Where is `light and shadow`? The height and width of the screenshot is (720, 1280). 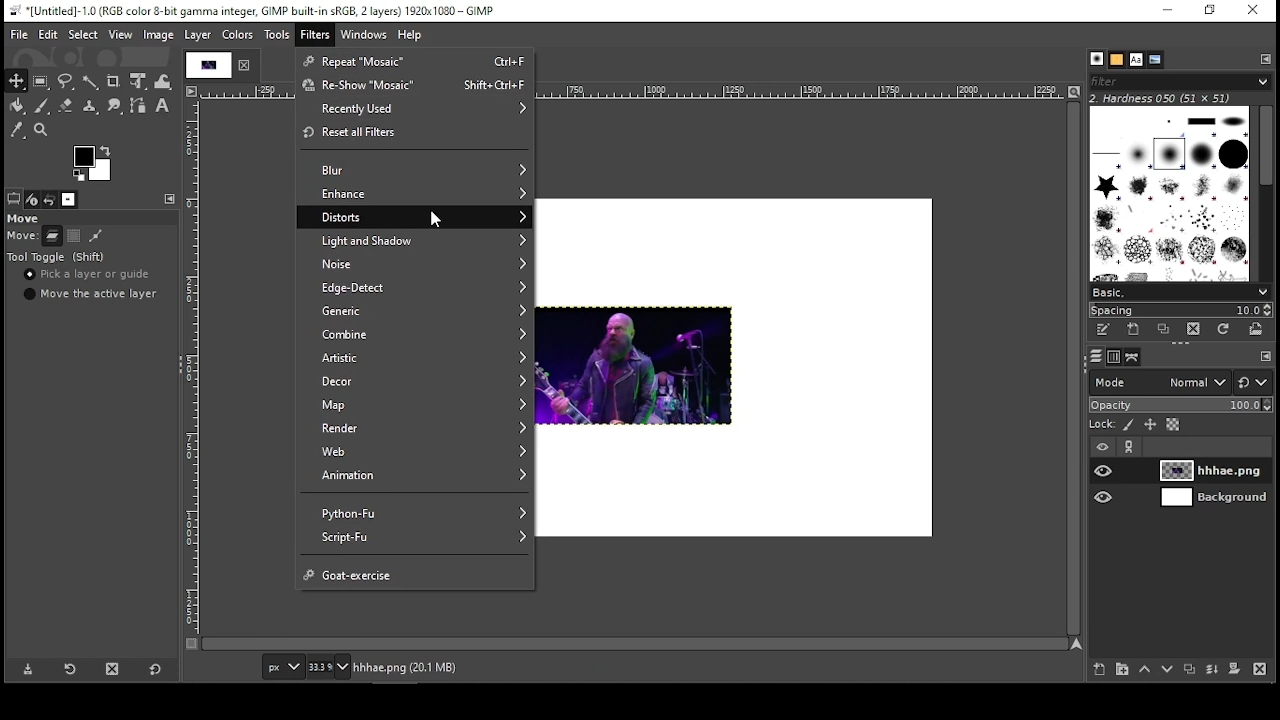 light and shadow is located at coordinates (416, 240).